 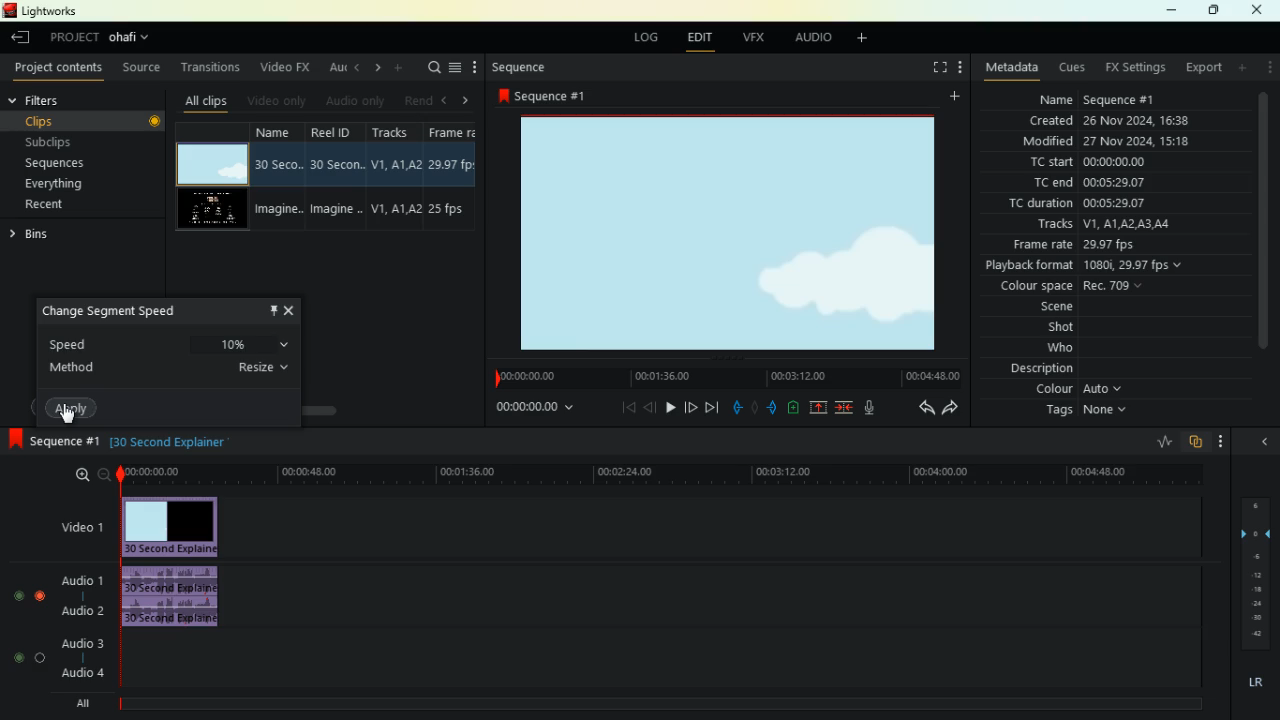 What do you see at coordinates (399, 68) in the screenshot?
I see `add` at bounding box center [399, 68].